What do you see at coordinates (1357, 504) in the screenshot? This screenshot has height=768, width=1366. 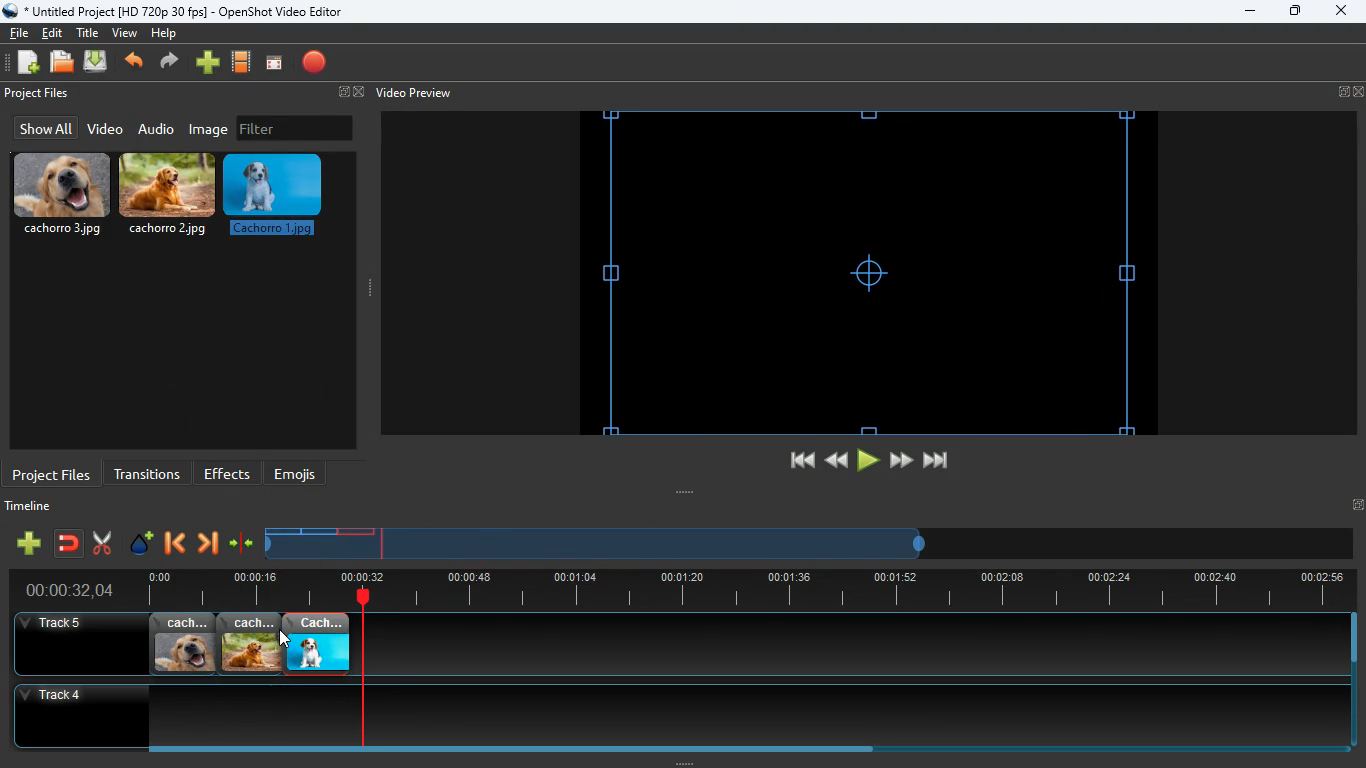 I see `Fullscreen` at bounding box center [1357, 504].